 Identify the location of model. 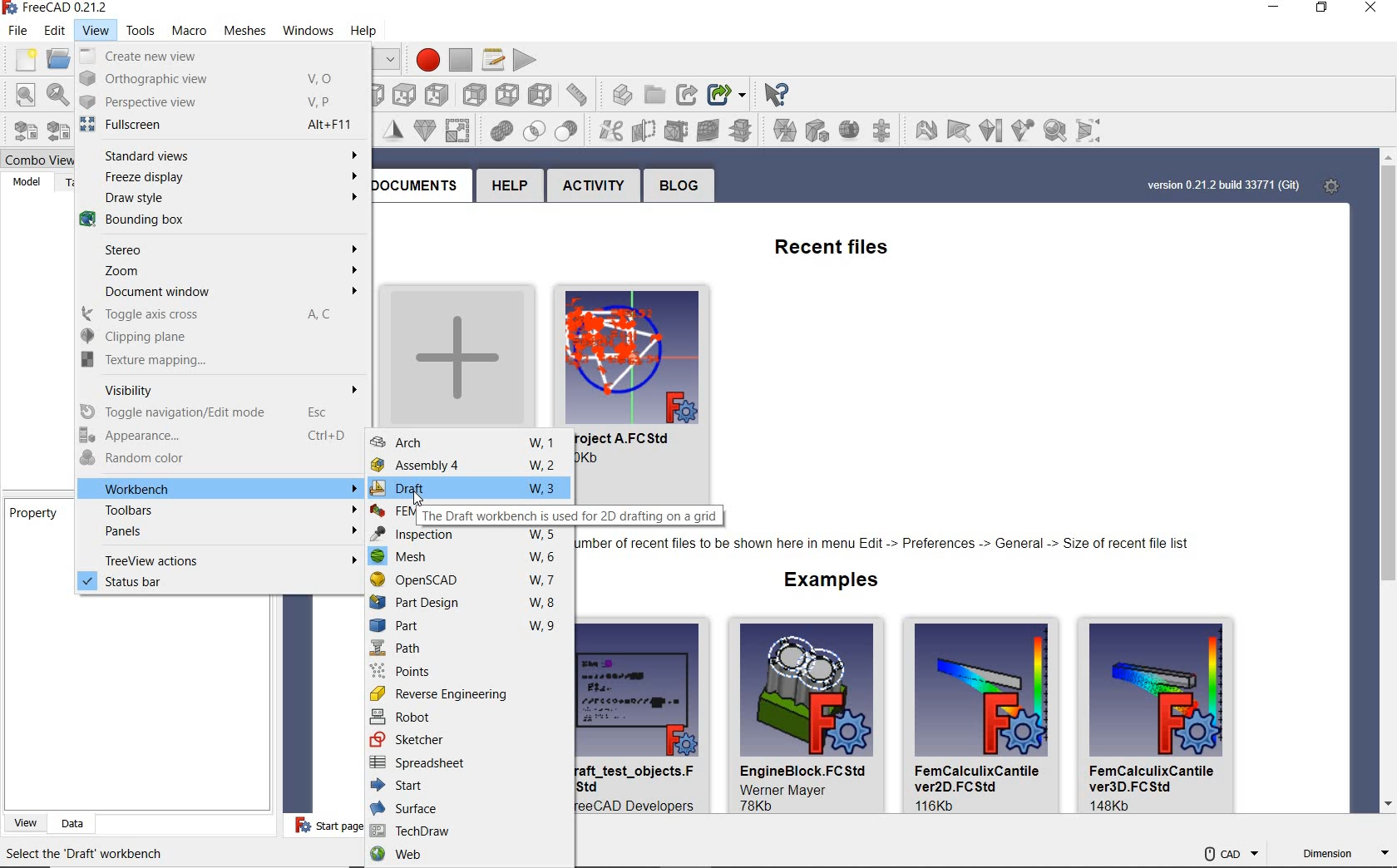
(25, 181).